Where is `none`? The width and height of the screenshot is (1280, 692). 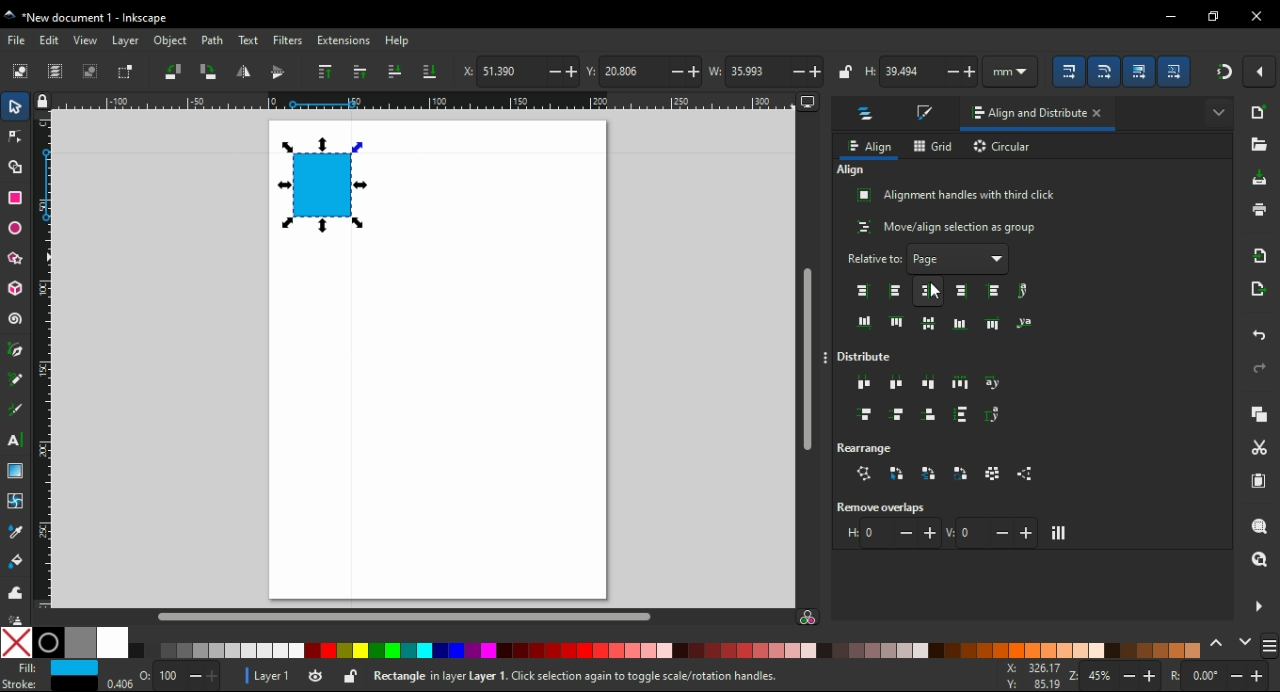 none is located at coordinates (17, 642).